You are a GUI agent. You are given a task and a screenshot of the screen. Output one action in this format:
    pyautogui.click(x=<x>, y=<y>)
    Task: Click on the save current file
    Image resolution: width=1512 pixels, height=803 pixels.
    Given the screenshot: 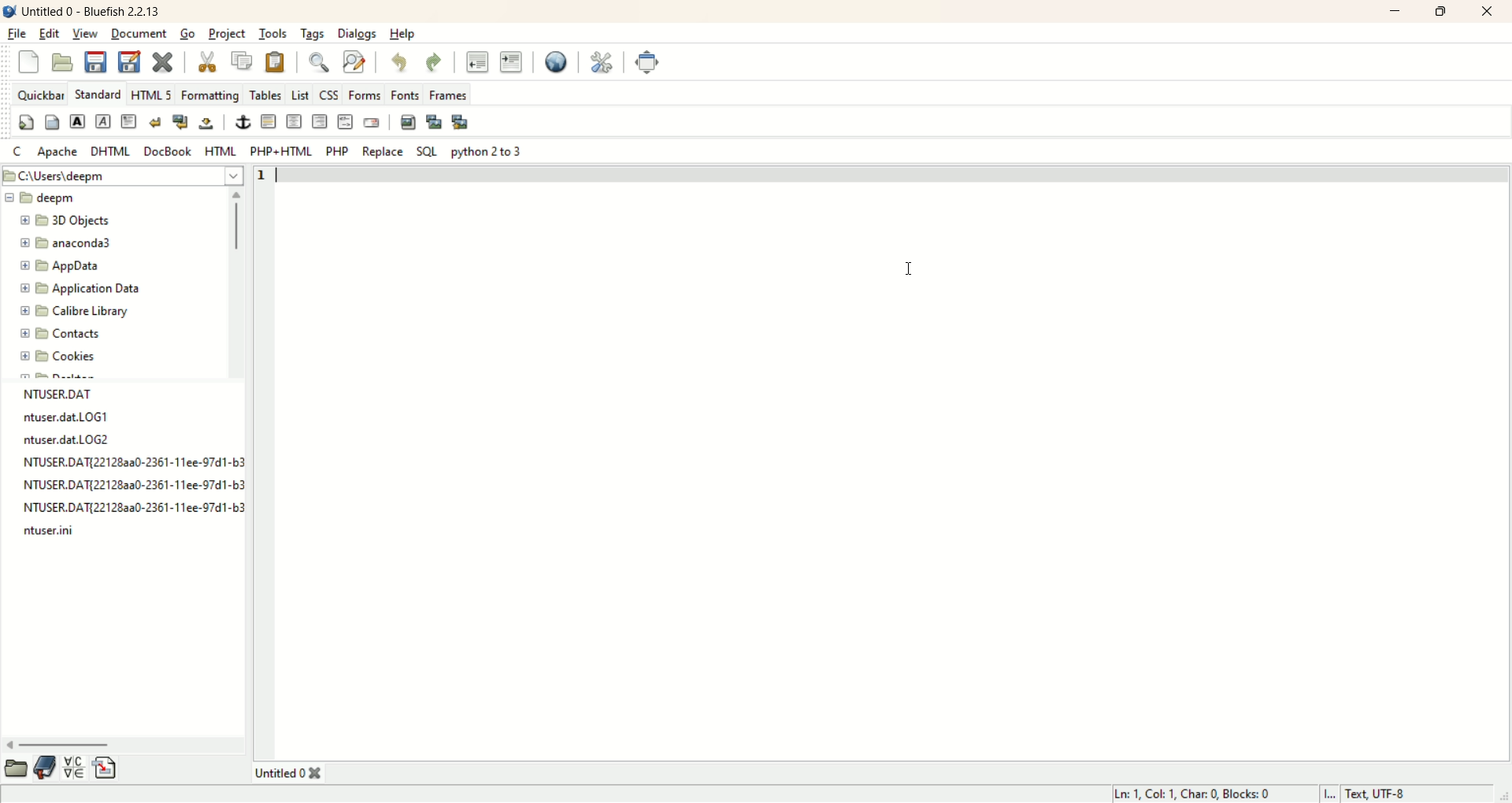 What is the action you would take?
    pyautogui.click(x=94, y=62)
    